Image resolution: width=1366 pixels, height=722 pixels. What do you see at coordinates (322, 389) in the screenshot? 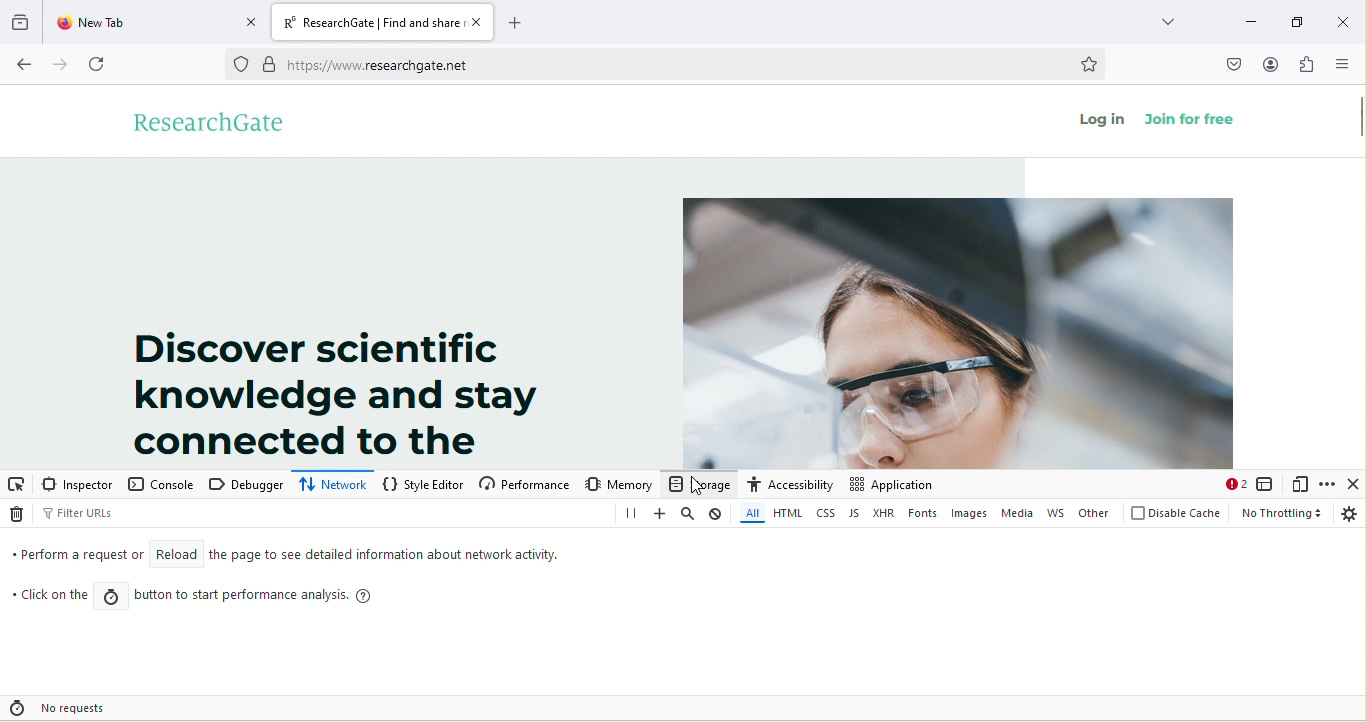
I see `Discover scientific knowledge and stay connected to the` at bounding box center [322, 389].